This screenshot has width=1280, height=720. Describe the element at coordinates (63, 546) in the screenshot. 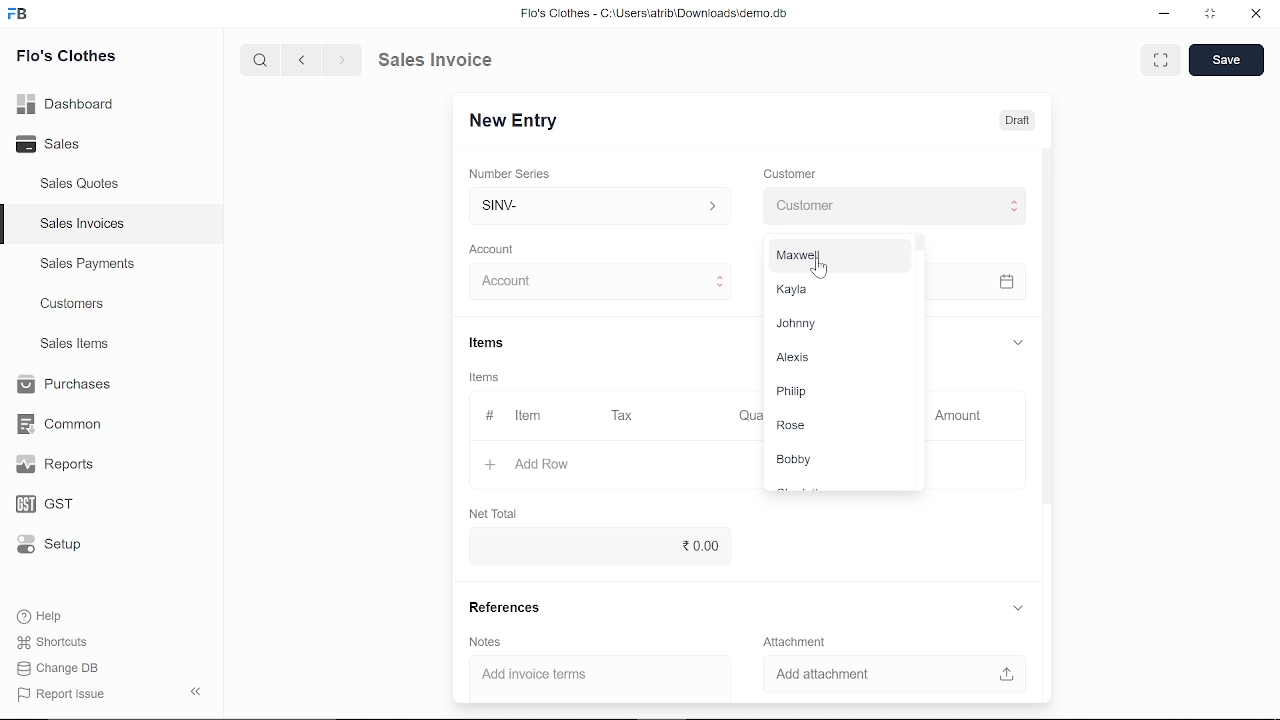

I see `Setup` at that location.